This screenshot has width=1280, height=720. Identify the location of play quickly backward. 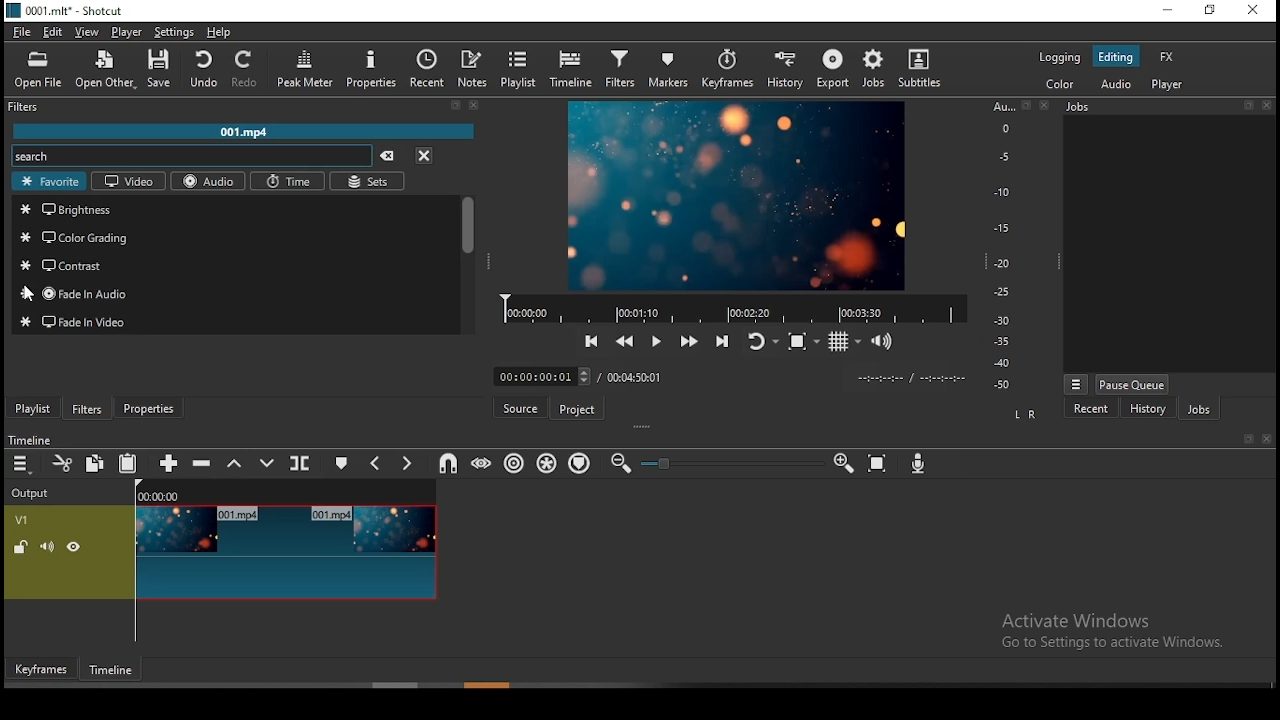
(627, 339).